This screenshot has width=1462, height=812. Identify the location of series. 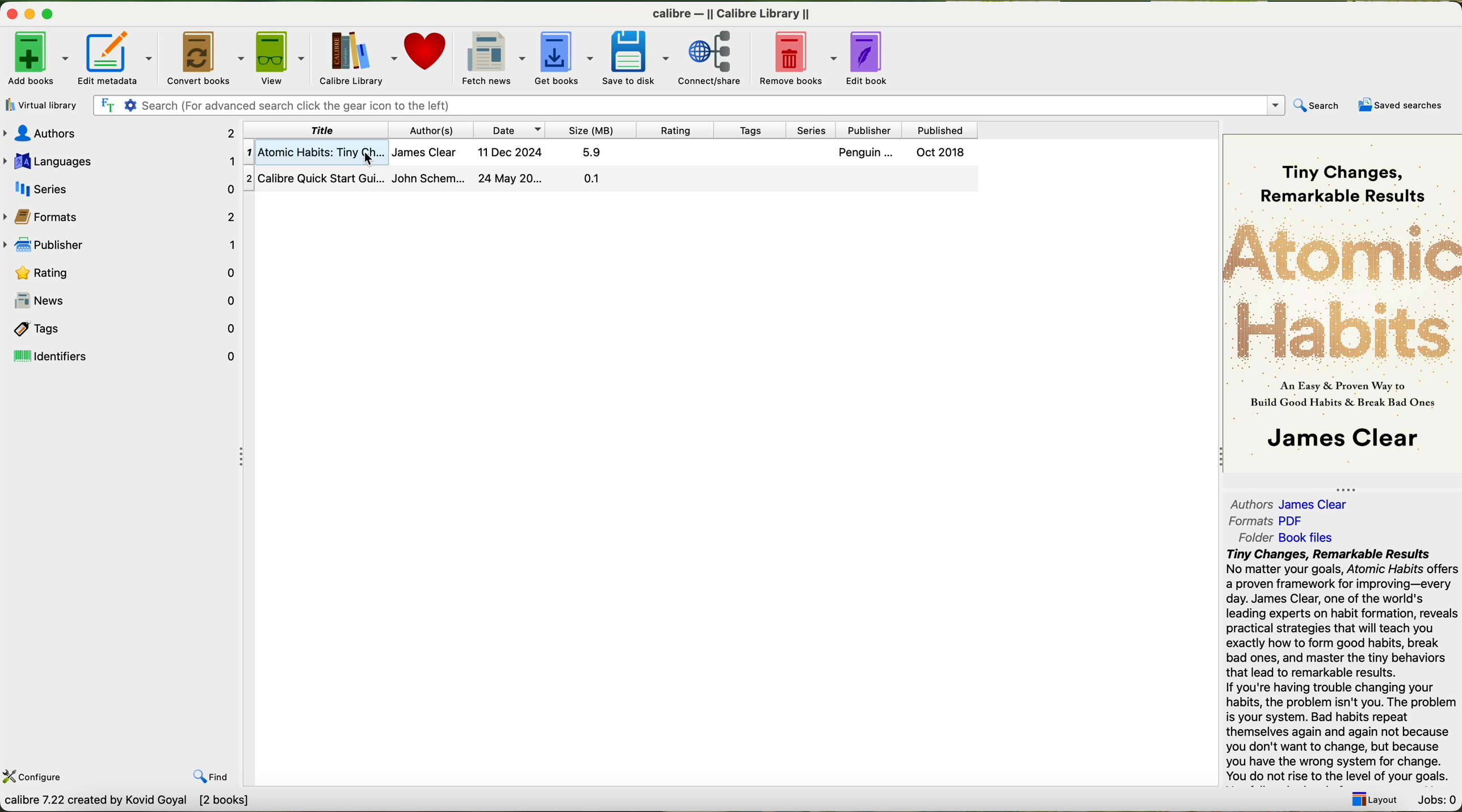
(812, 130).